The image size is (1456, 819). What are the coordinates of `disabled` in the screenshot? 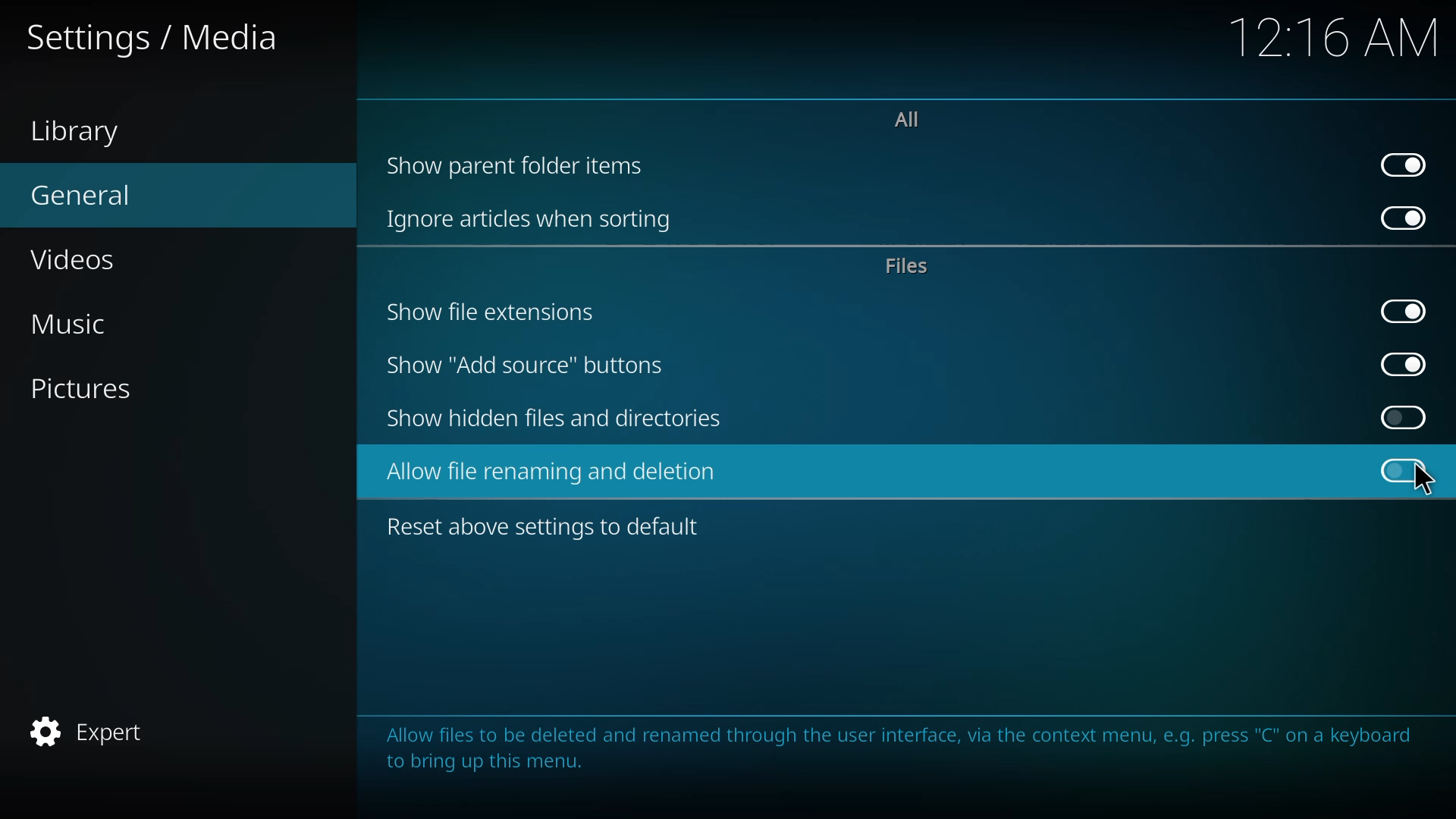 It's located at (1404, 471).